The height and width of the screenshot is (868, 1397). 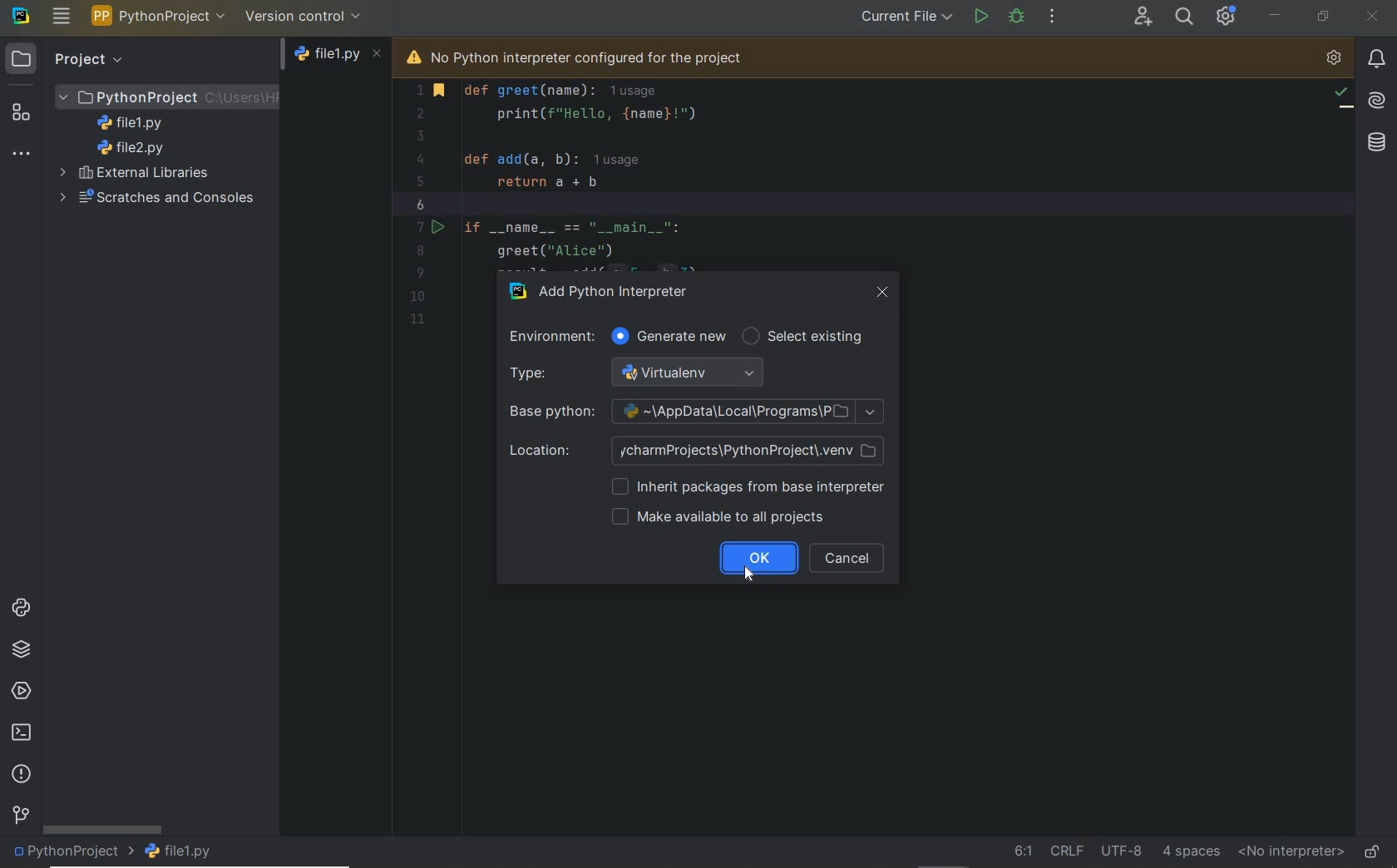 I want to click on make file ready only, so click(x=1372, y=851).